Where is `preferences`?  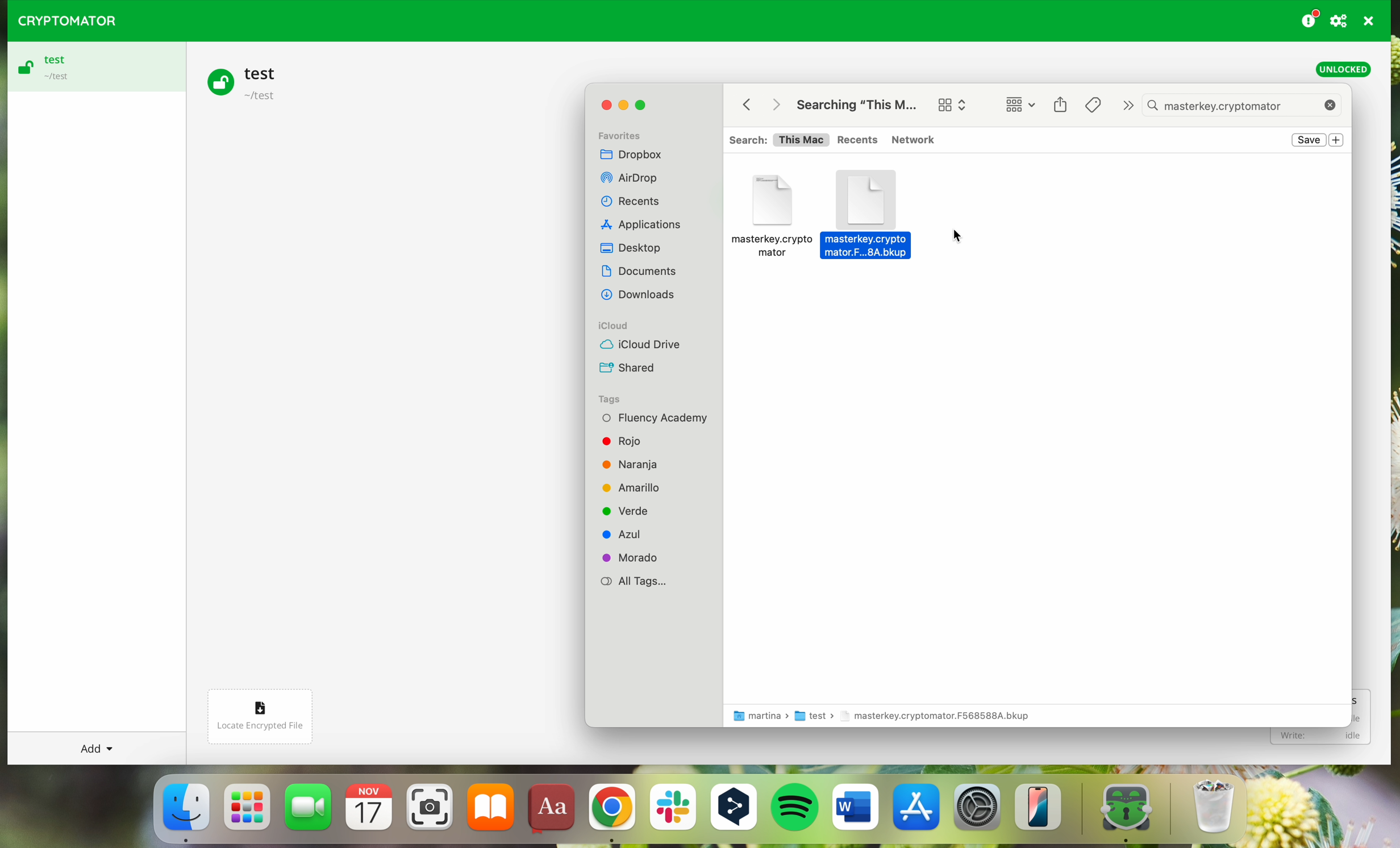 preferences is located at coordinates (1340, 20).